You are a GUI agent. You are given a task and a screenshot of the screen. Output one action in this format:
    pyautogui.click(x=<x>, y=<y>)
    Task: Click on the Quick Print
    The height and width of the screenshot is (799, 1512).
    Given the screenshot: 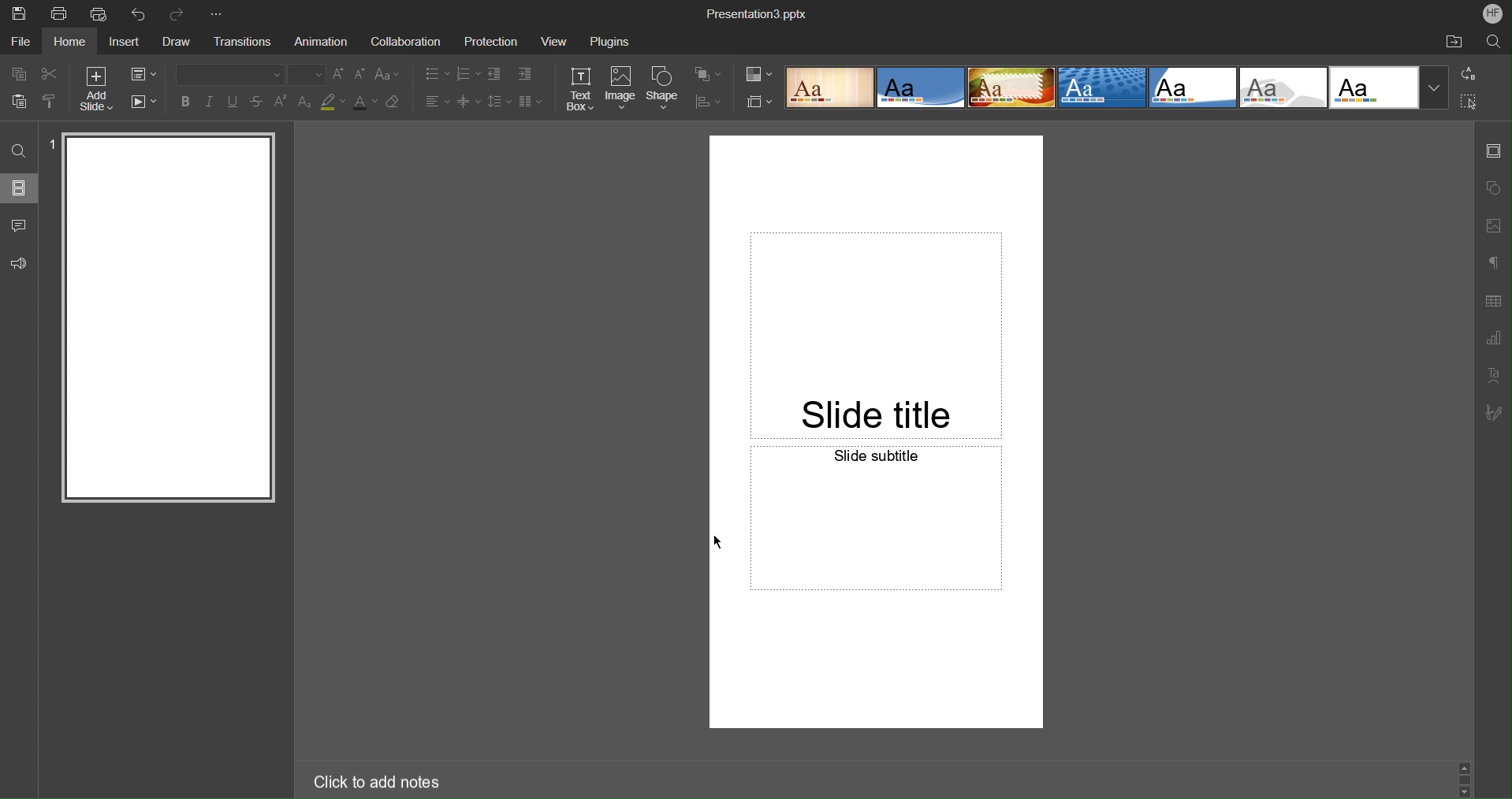 What is the action you would take?
    pyautogui.click(x=100, y=15)
    